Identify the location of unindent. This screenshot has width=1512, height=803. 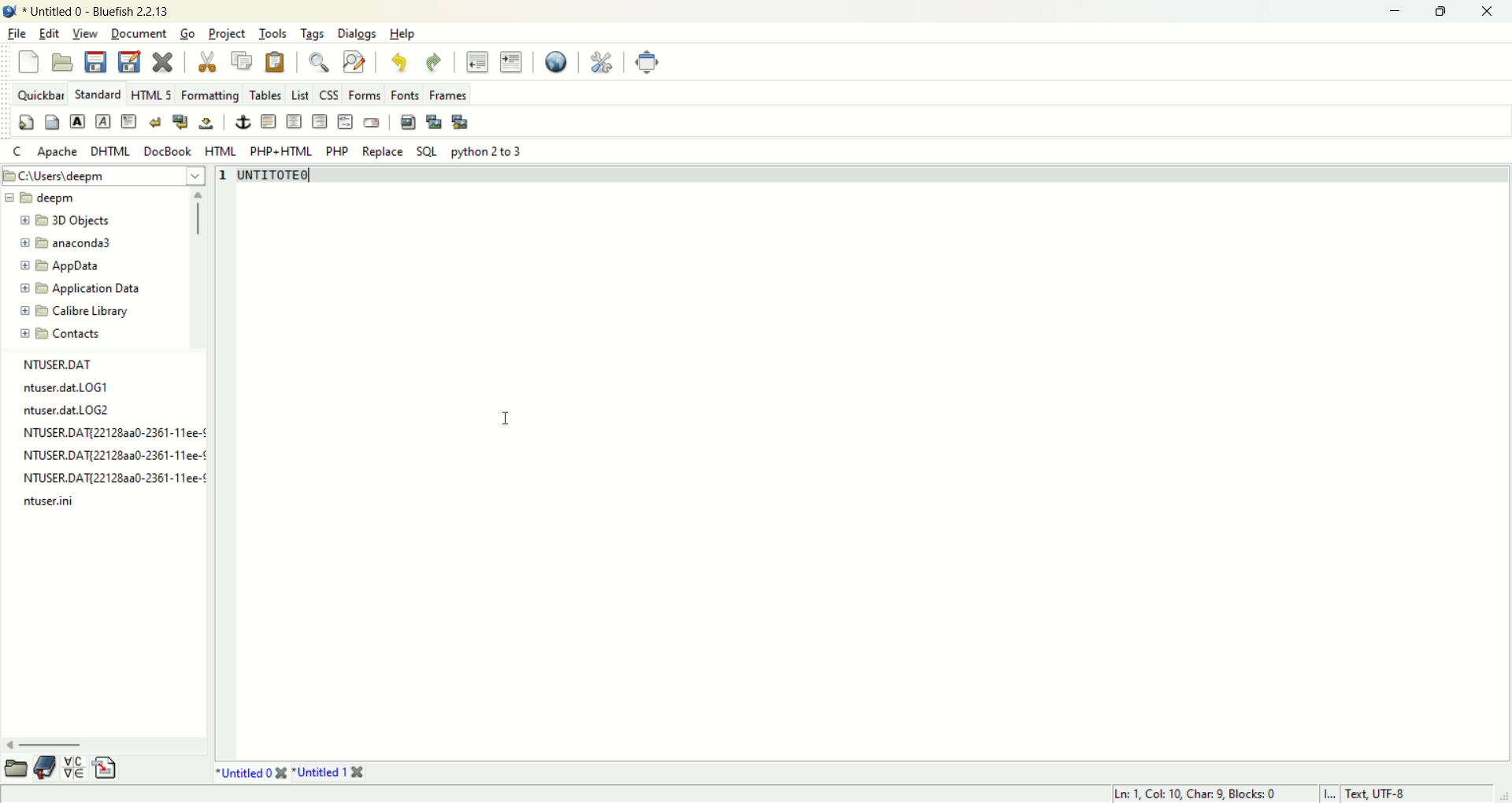
(478, 60).